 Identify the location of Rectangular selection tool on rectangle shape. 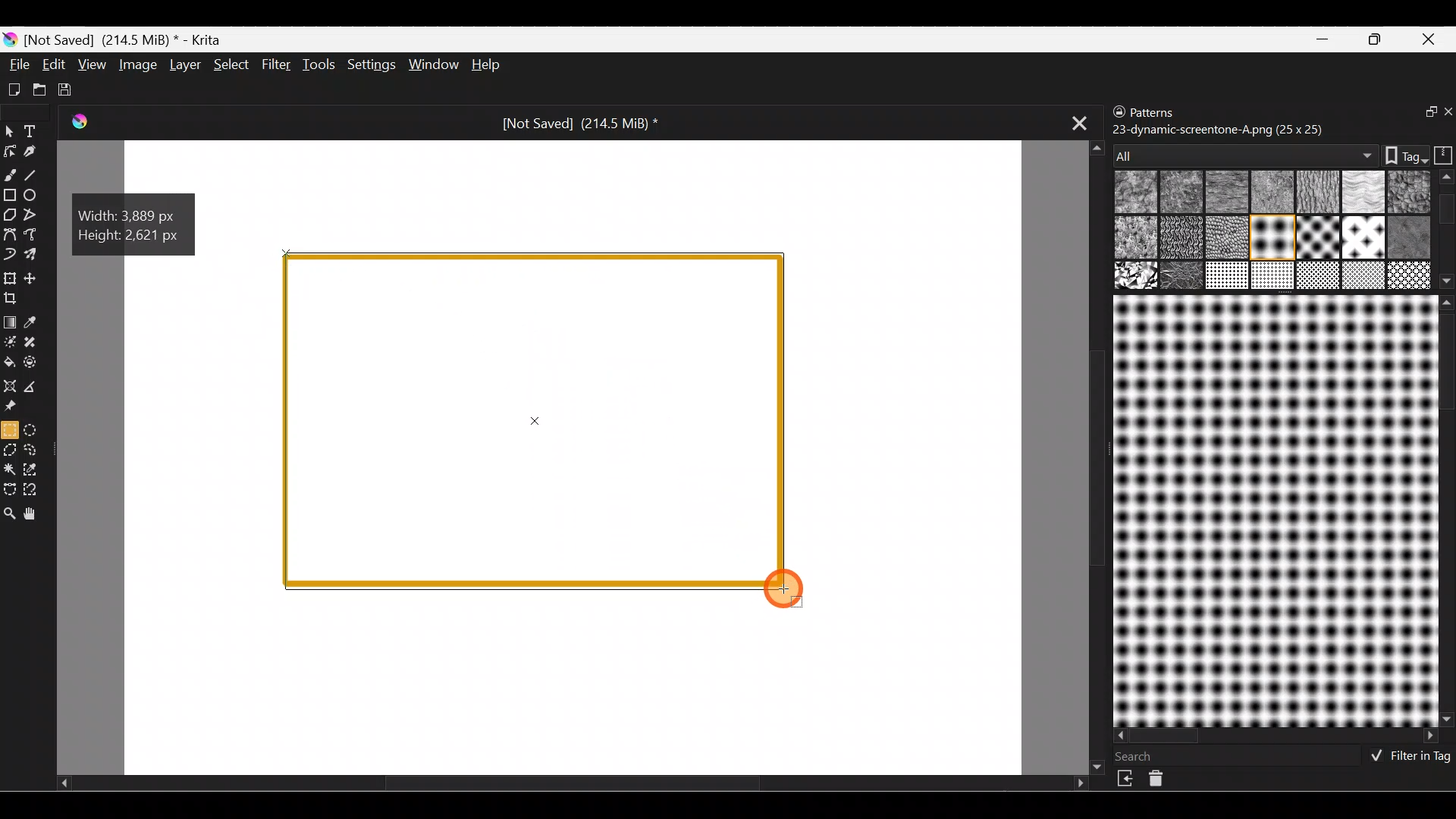
(538, 422).